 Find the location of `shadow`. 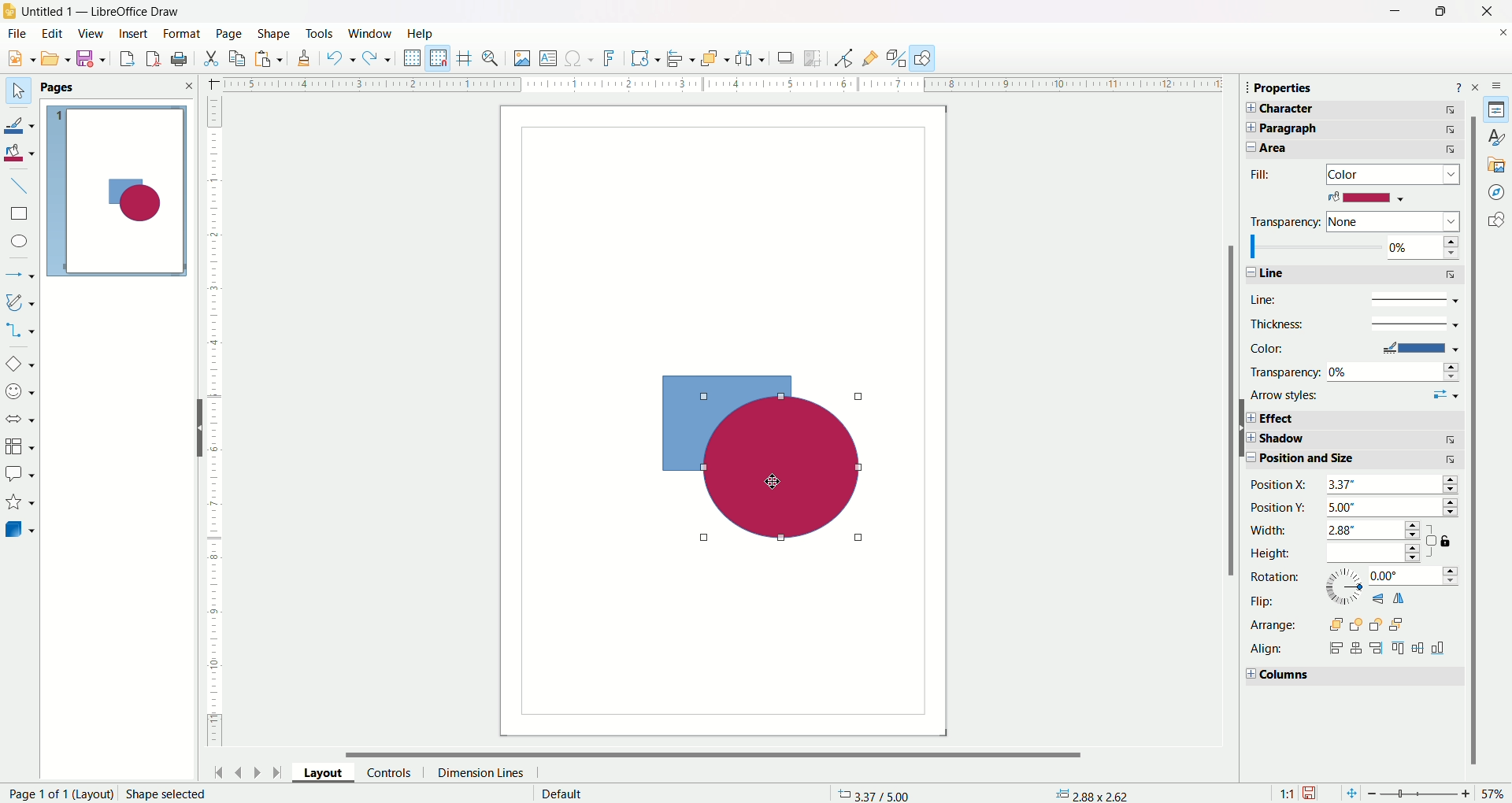

shadow is located at coordinates (1352, 441).